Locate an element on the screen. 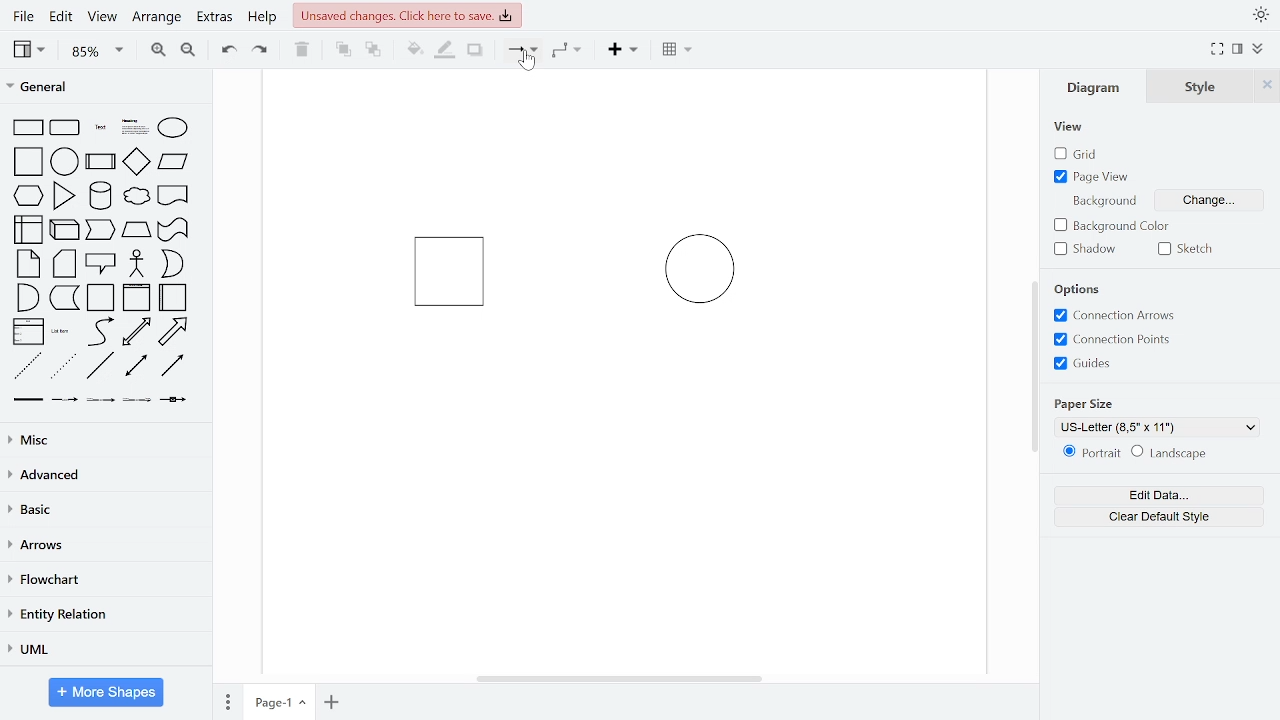 Image resolution: width=1280 pixels, height=720 pixels. cube is located at coordinates (66, 228).